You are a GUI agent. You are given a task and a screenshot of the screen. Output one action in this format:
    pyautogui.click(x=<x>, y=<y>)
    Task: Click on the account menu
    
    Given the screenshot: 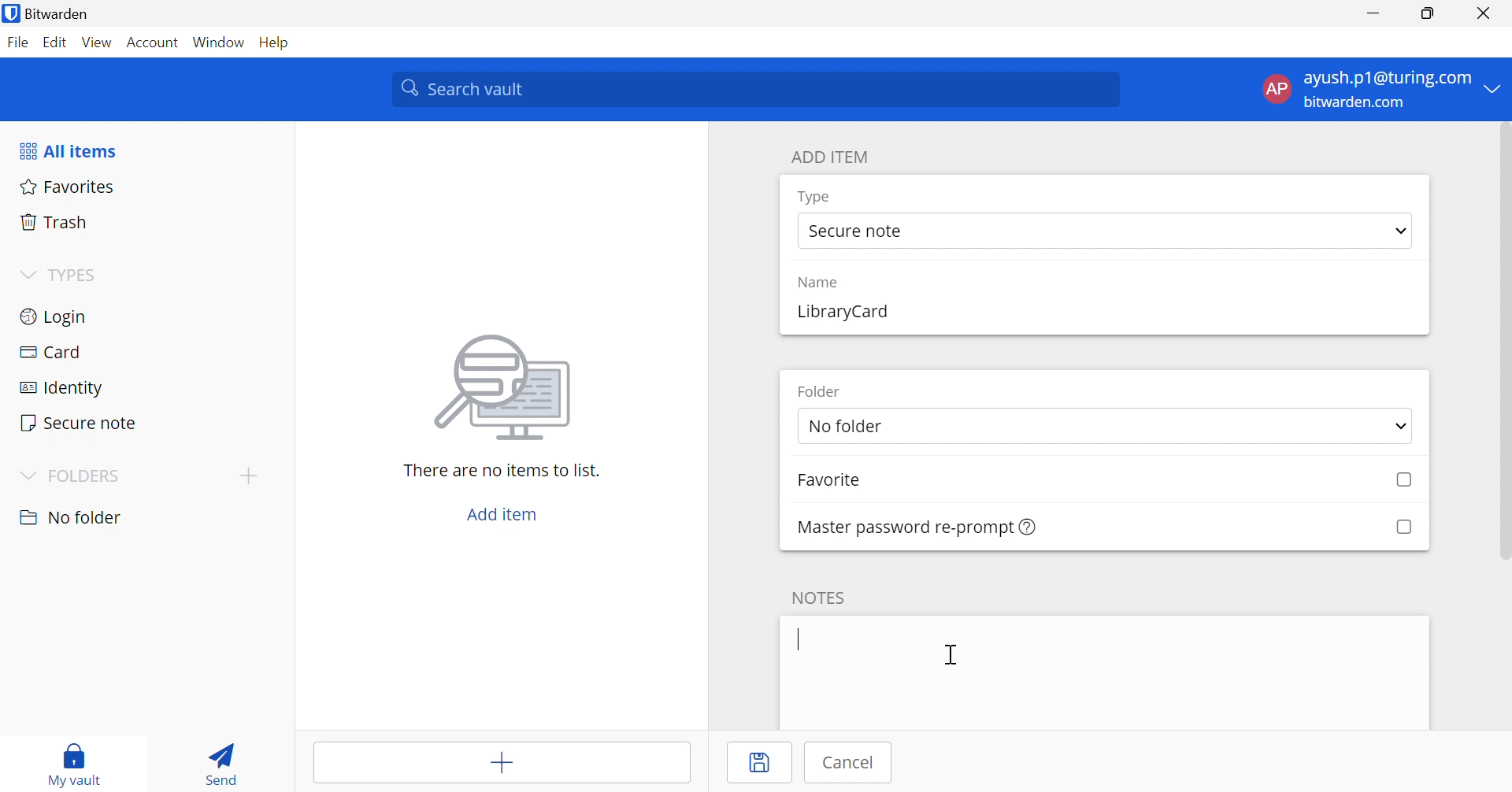 What is the action you would take?
    pyautogui.click(x=1379, y=90)
    